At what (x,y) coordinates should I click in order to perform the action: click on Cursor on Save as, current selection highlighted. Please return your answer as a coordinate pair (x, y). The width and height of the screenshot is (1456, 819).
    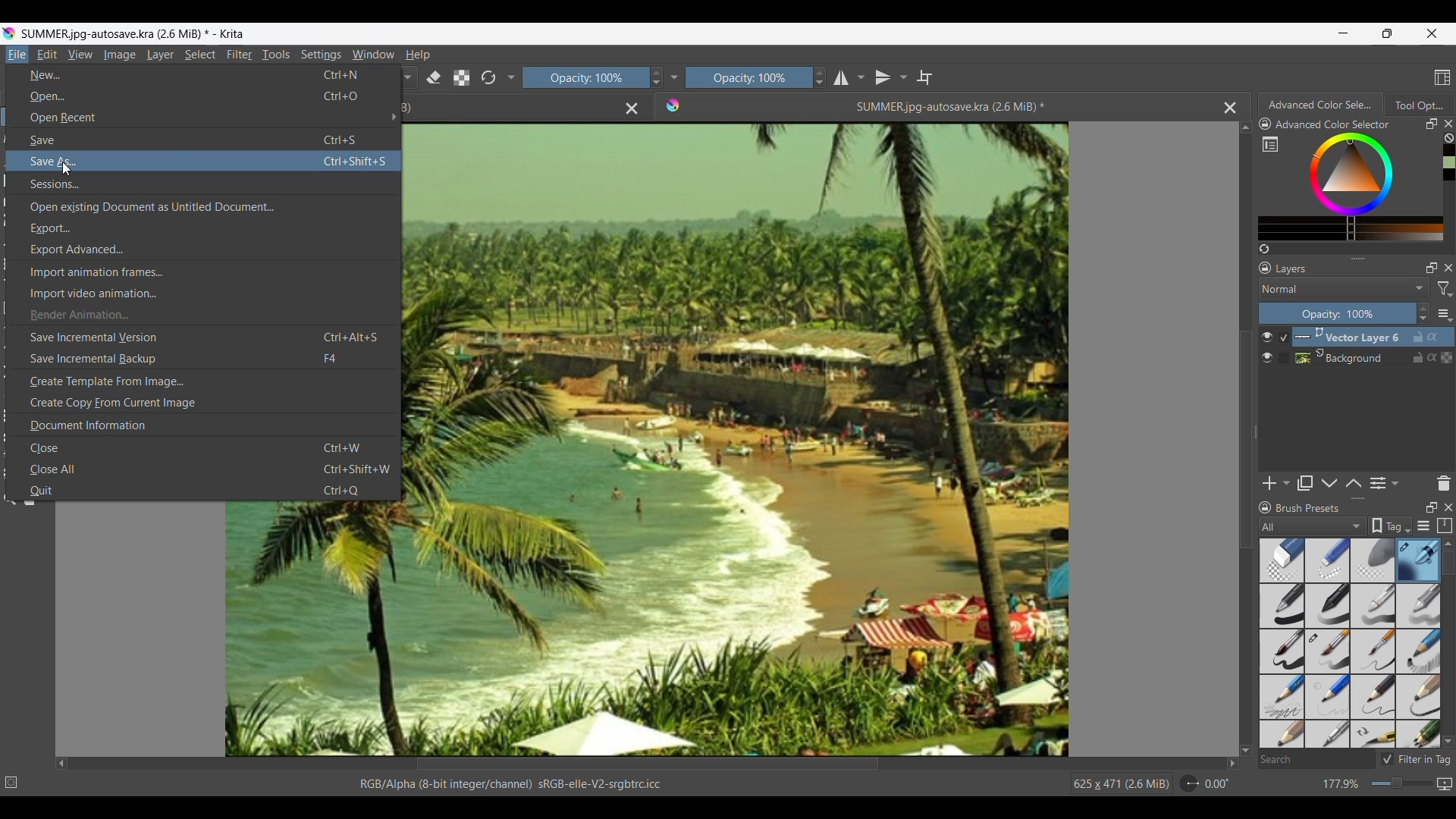
    Looking at the image, I should click on (204, 163).